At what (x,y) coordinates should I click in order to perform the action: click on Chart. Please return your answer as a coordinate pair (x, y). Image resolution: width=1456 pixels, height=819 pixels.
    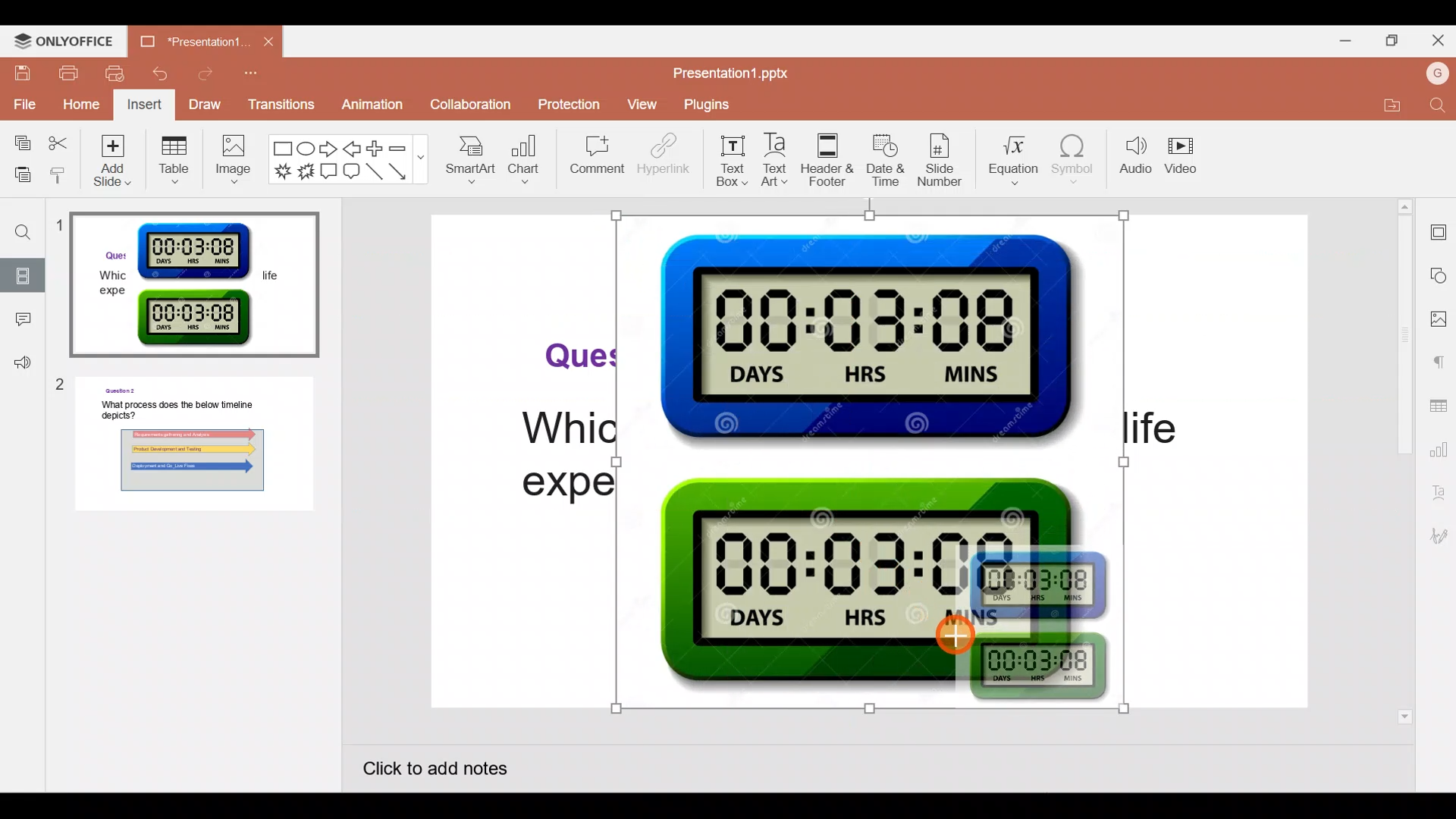
    Looking at the image, I should click on (526, 162).